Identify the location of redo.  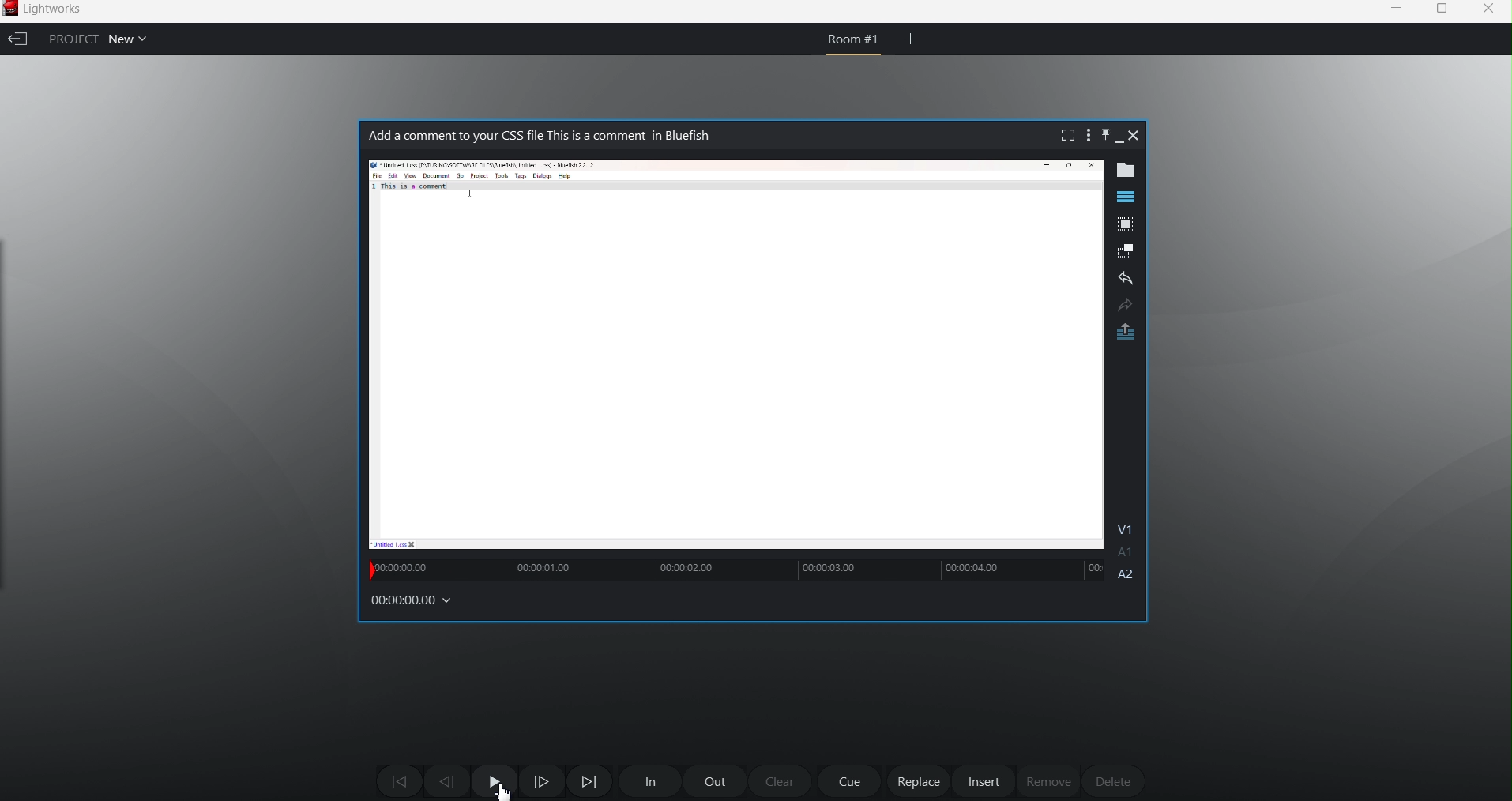
(1124, 305).